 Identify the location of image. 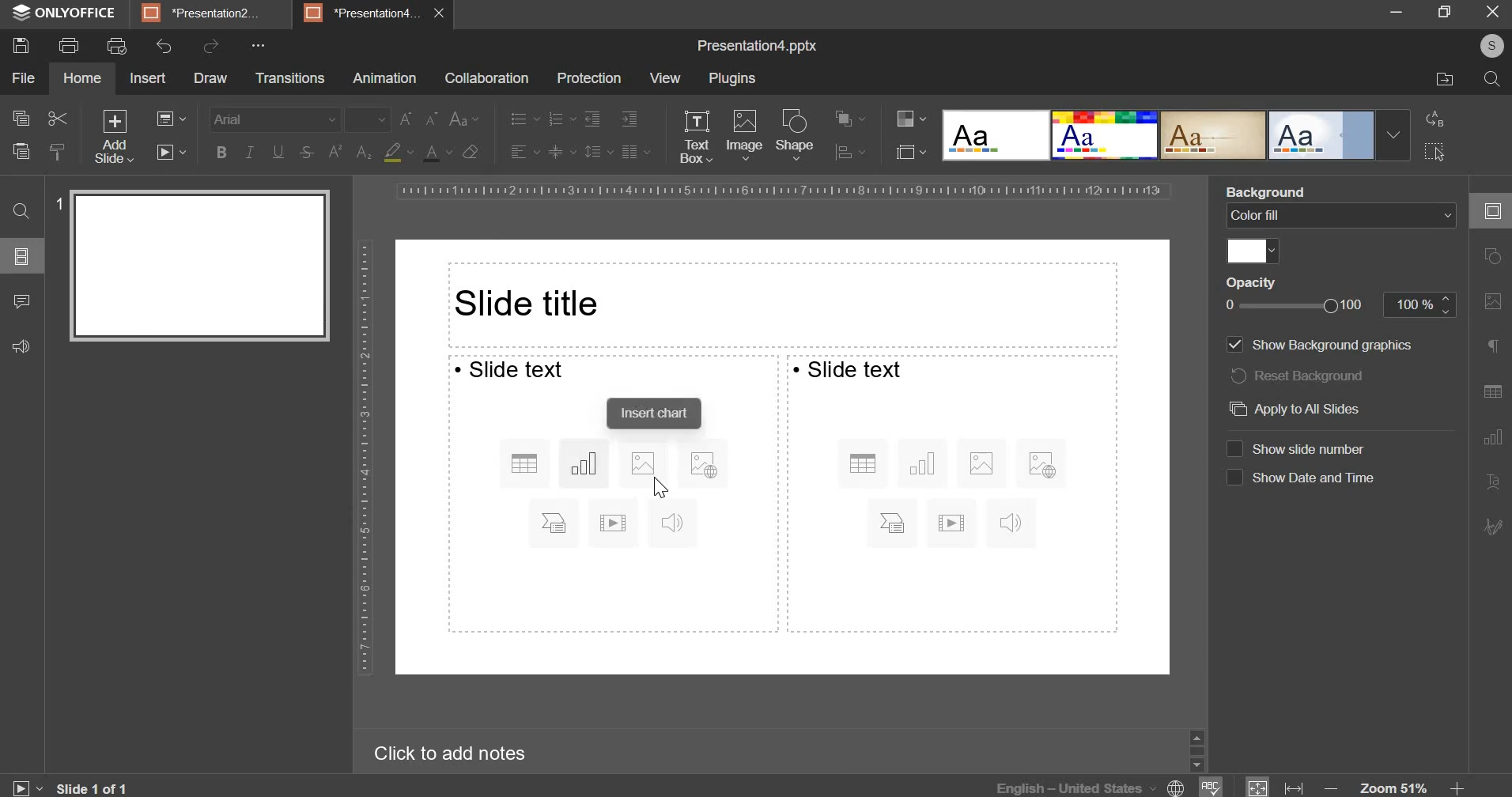
(745, 136).